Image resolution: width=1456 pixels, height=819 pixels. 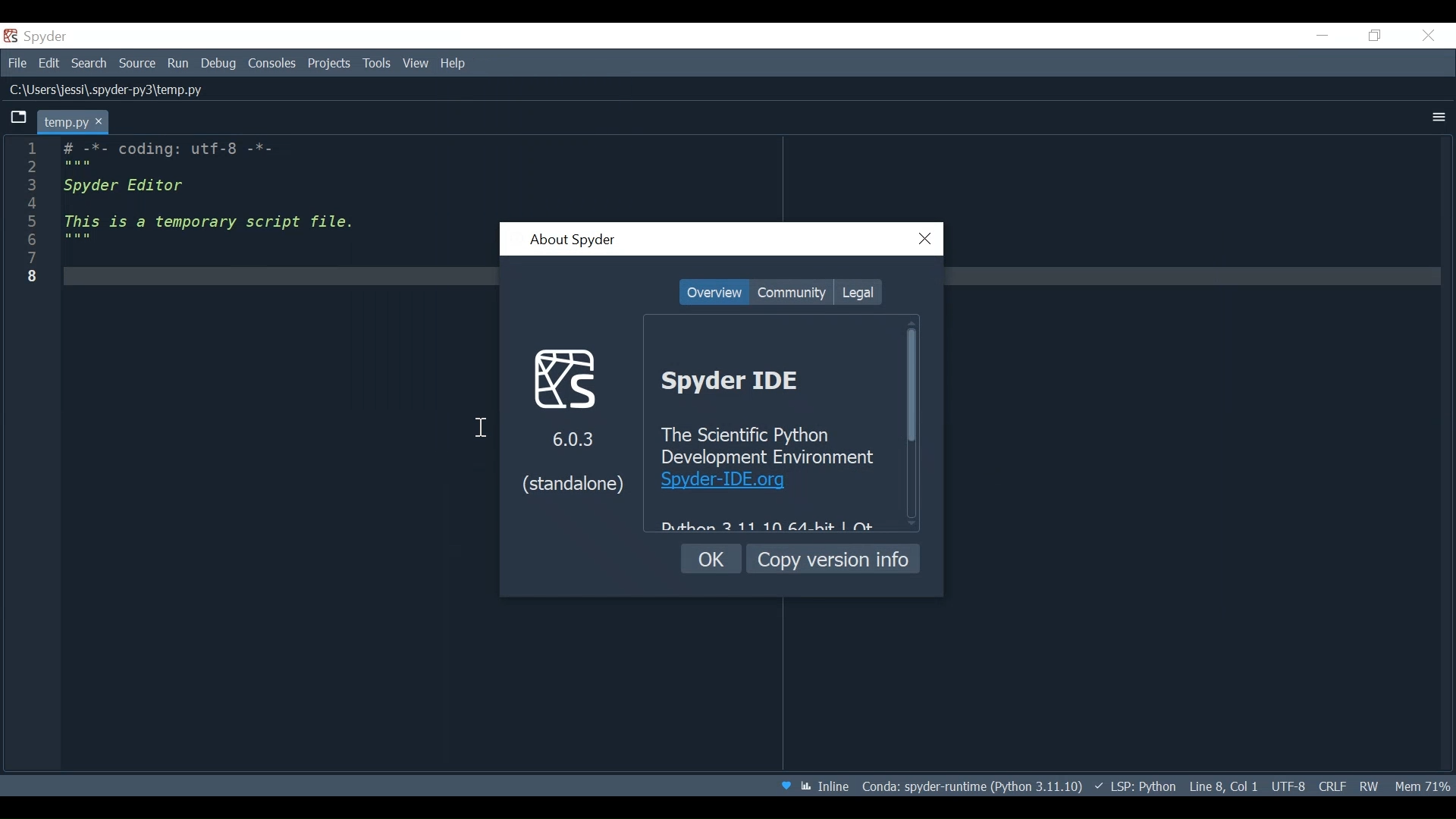 What do you see at coordinates (711, 559) in the screenshot?
I see `OK` at bounding box center [711, 559].